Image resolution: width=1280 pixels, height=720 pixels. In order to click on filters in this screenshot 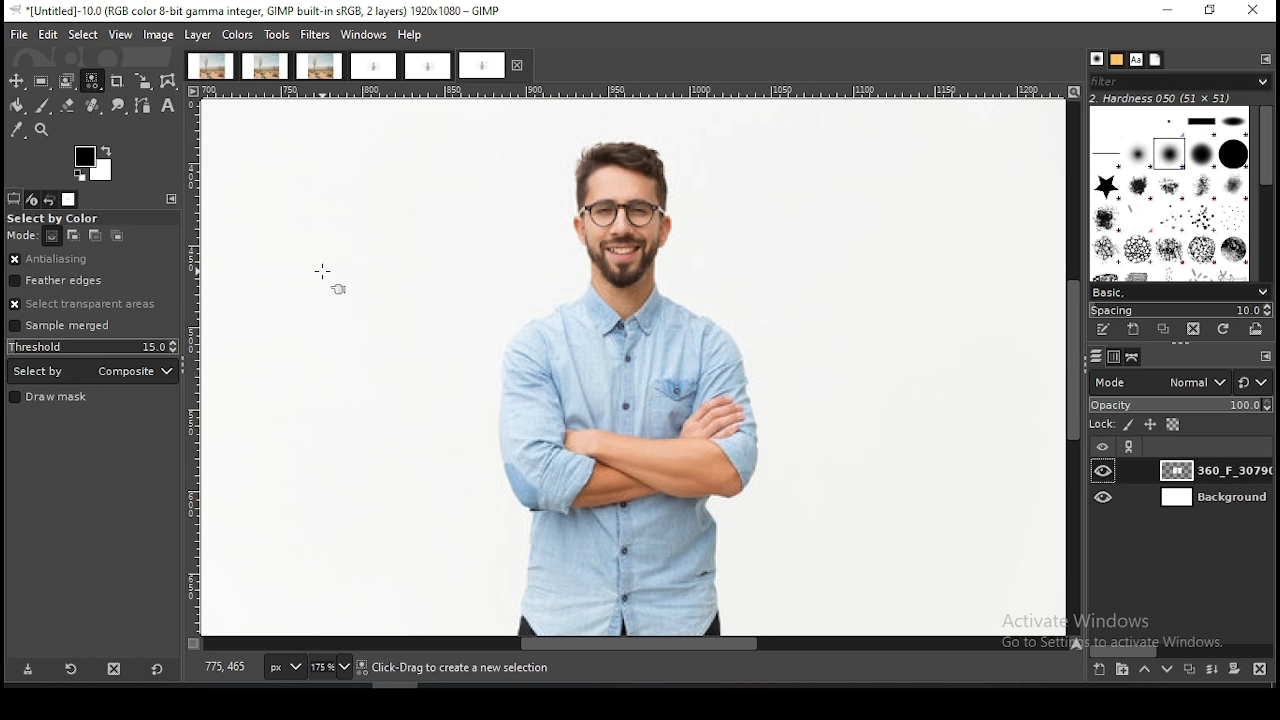, I will do `click(316, 35)`.